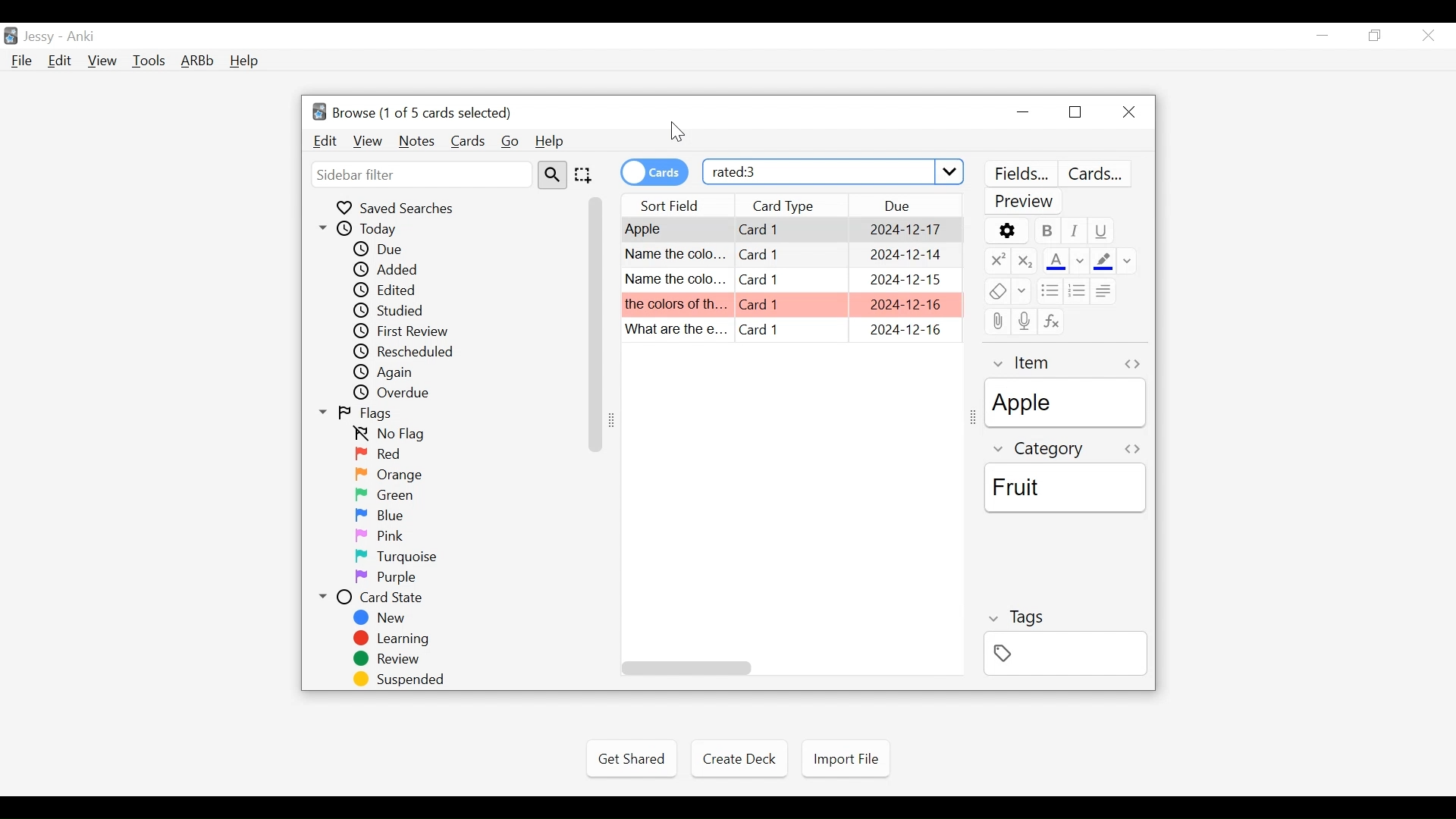 The image size is (1456, 819). Describe the element at coordinates (676, 231) in the screenshot. I see `Card` at that location.